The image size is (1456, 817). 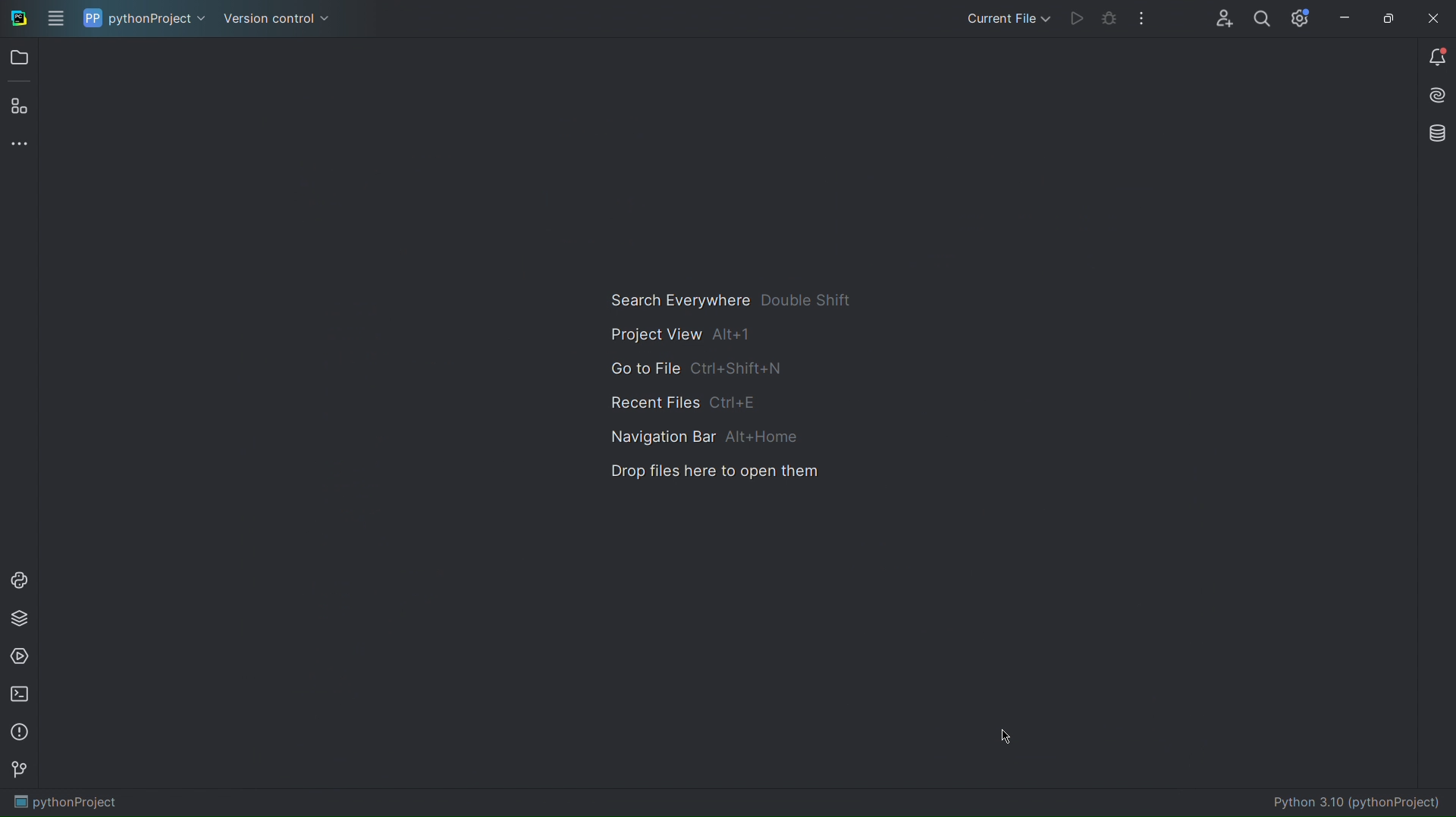 I want to click on Databases, so click(x=1432, y=136).